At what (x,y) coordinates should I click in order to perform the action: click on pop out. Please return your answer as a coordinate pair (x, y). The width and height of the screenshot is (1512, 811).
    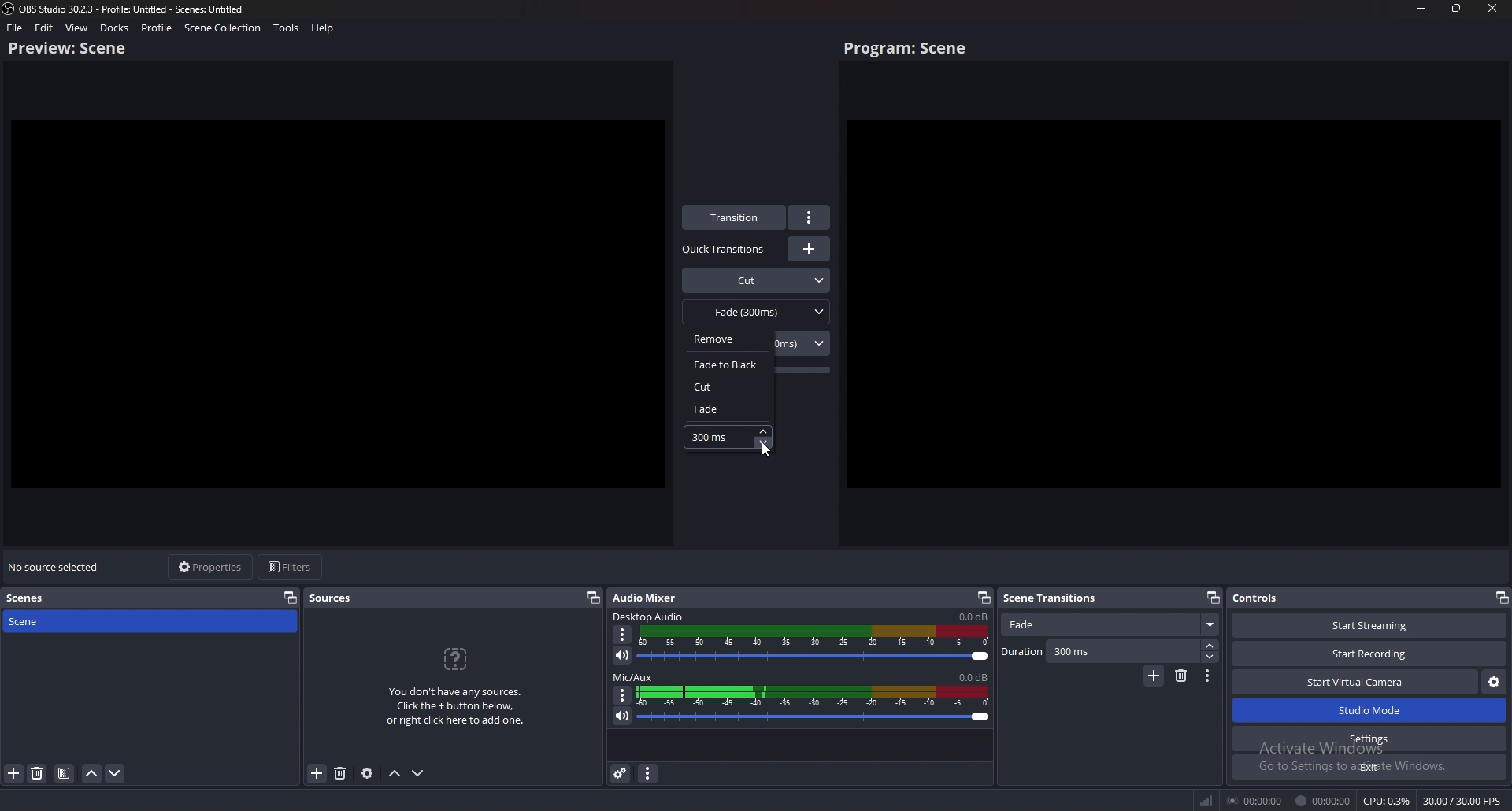
    Looking at the image, I should click on (593, 598).